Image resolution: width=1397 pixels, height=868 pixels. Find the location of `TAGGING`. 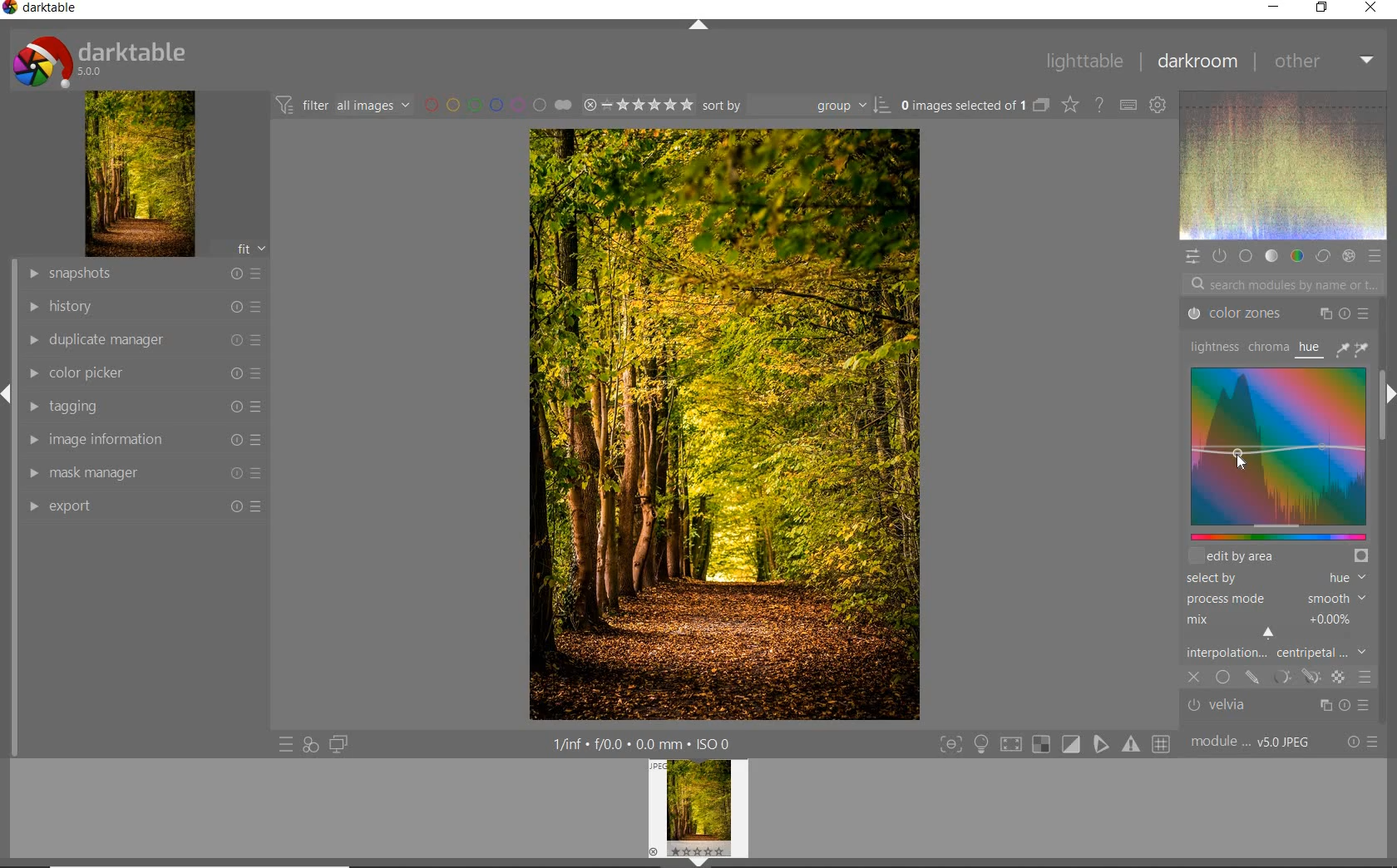

TAGGING is located at coordinates (143, 407).